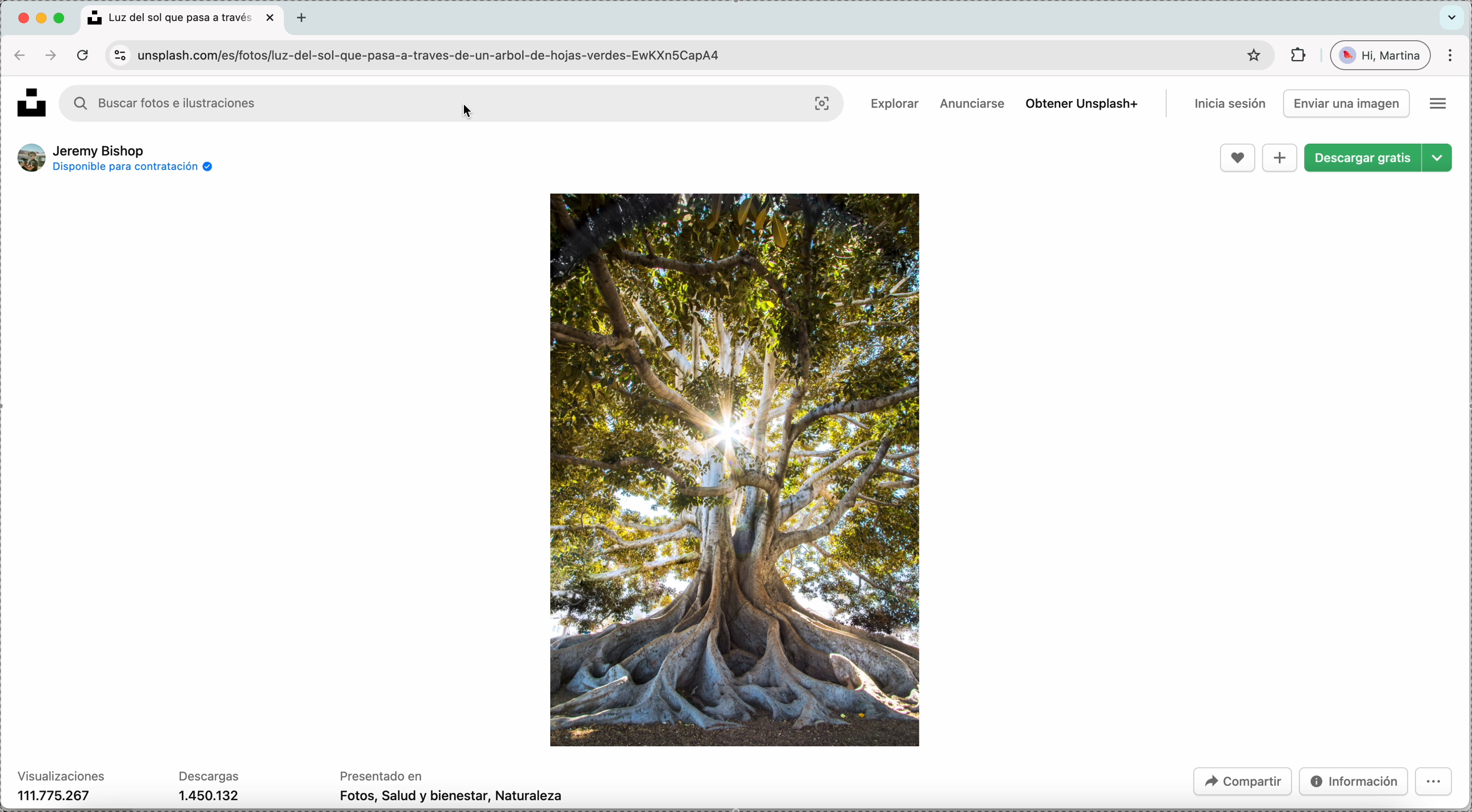 The height and width of the screenshot is (812, 1472). I want to click on back, so click(18, 55).